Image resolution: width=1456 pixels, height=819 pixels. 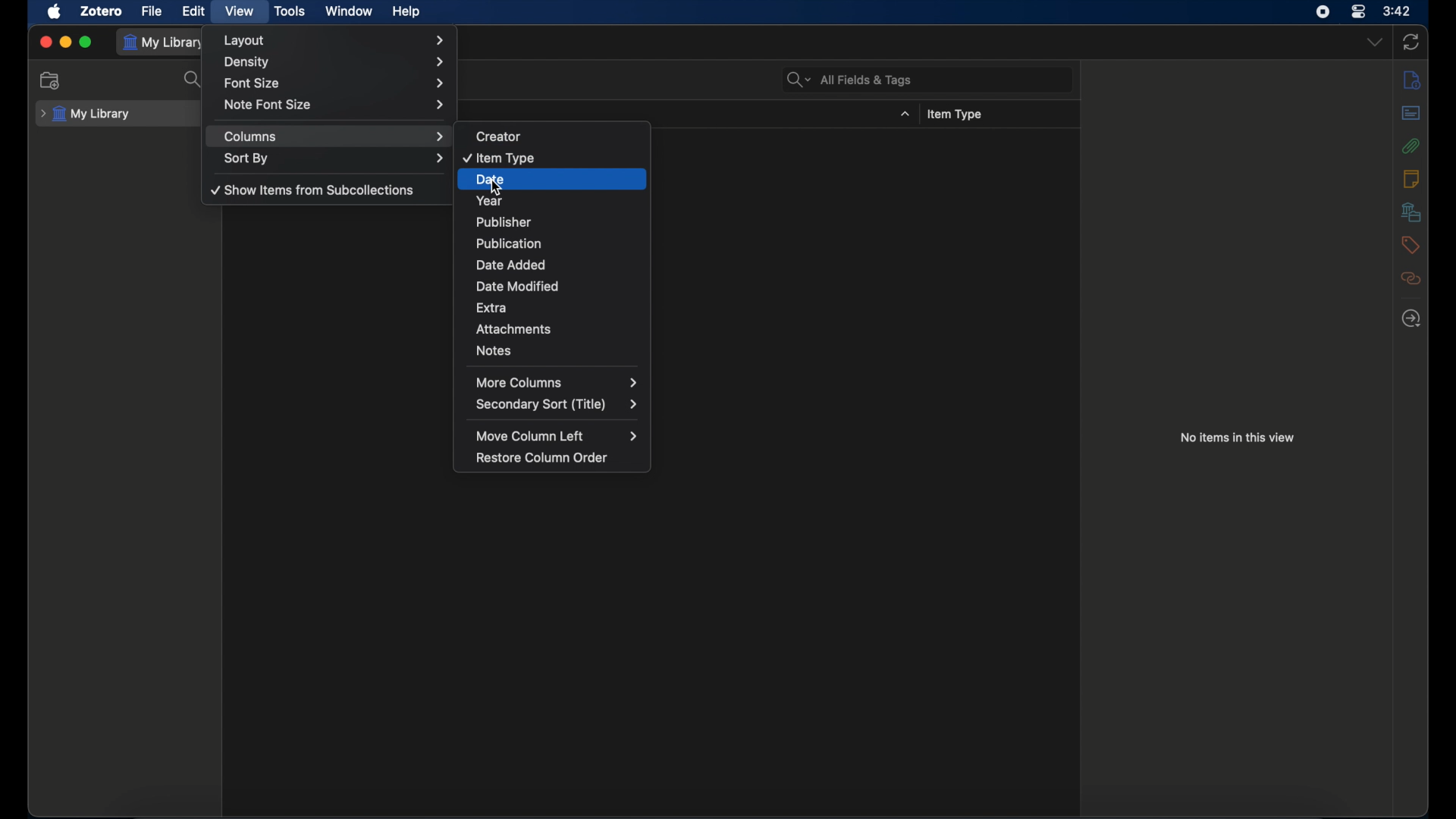 I want to click on date modified, so click(x=550, y=287).